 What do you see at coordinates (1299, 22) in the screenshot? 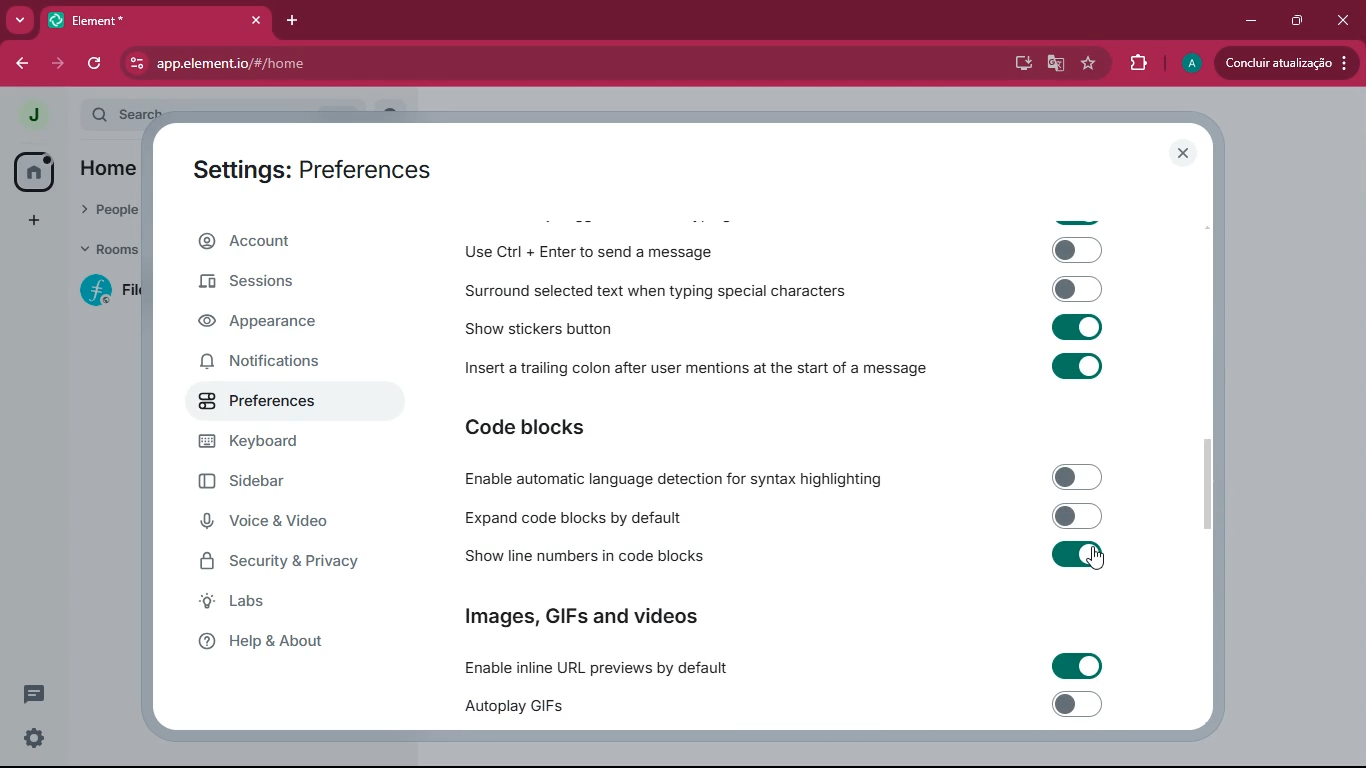
I see `maximize` at bounding box center [1299, 22].